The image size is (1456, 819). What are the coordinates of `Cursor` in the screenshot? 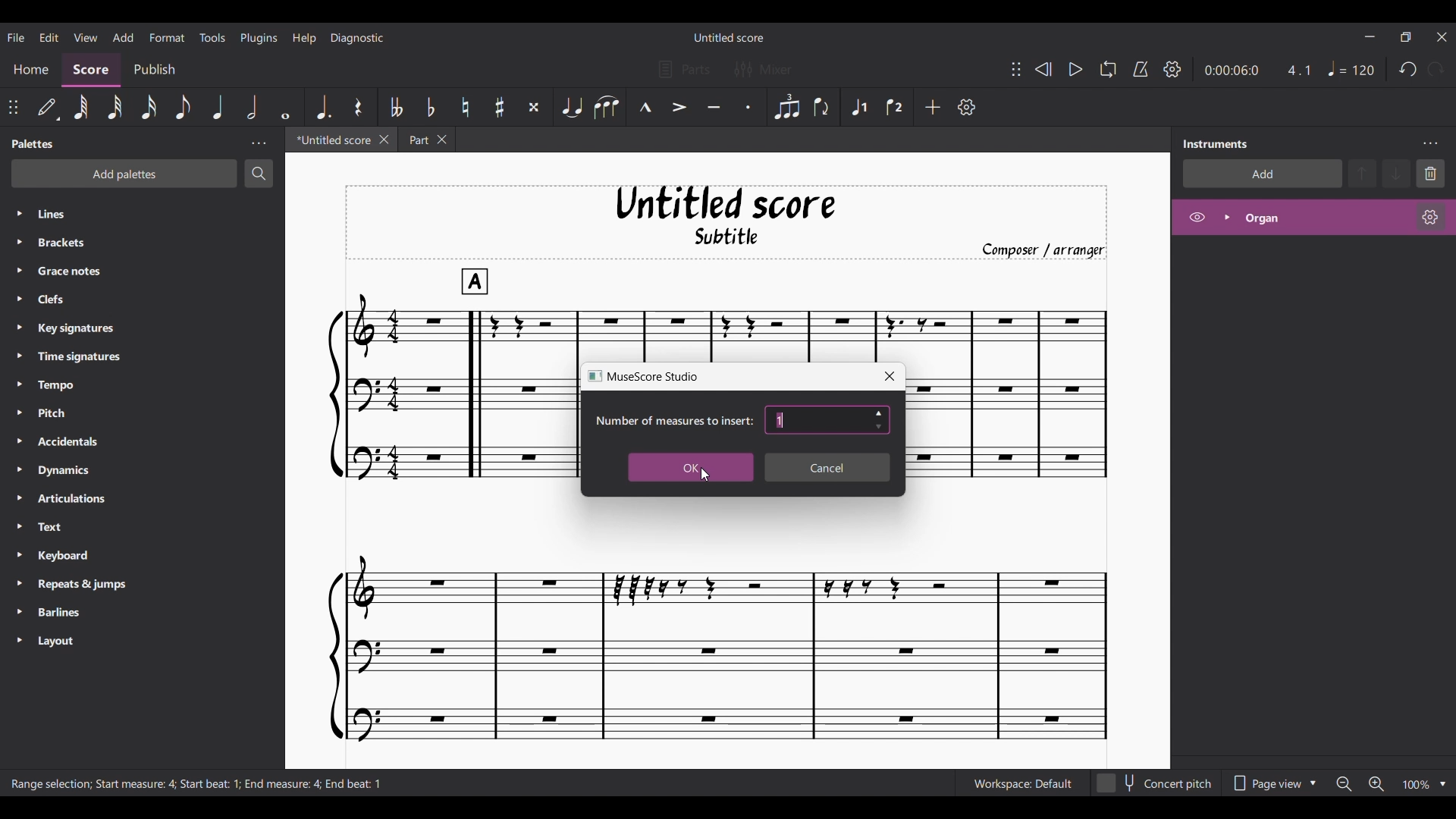 It's located at (704, 480).